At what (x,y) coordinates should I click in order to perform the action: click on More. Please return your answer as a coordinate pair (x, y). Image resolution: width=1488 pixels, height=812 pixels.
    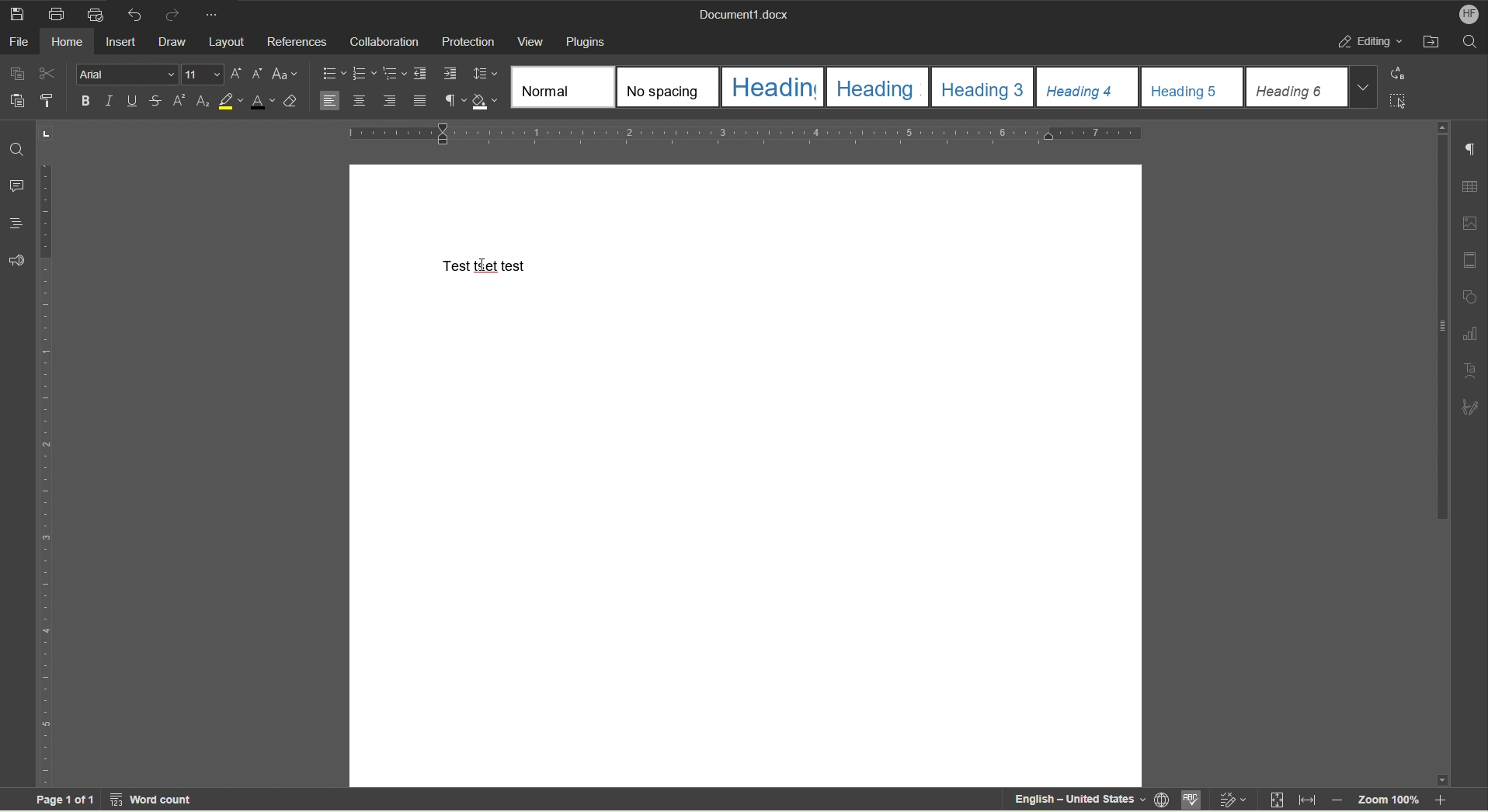
    Looking at the image, I should click on (214, 12).